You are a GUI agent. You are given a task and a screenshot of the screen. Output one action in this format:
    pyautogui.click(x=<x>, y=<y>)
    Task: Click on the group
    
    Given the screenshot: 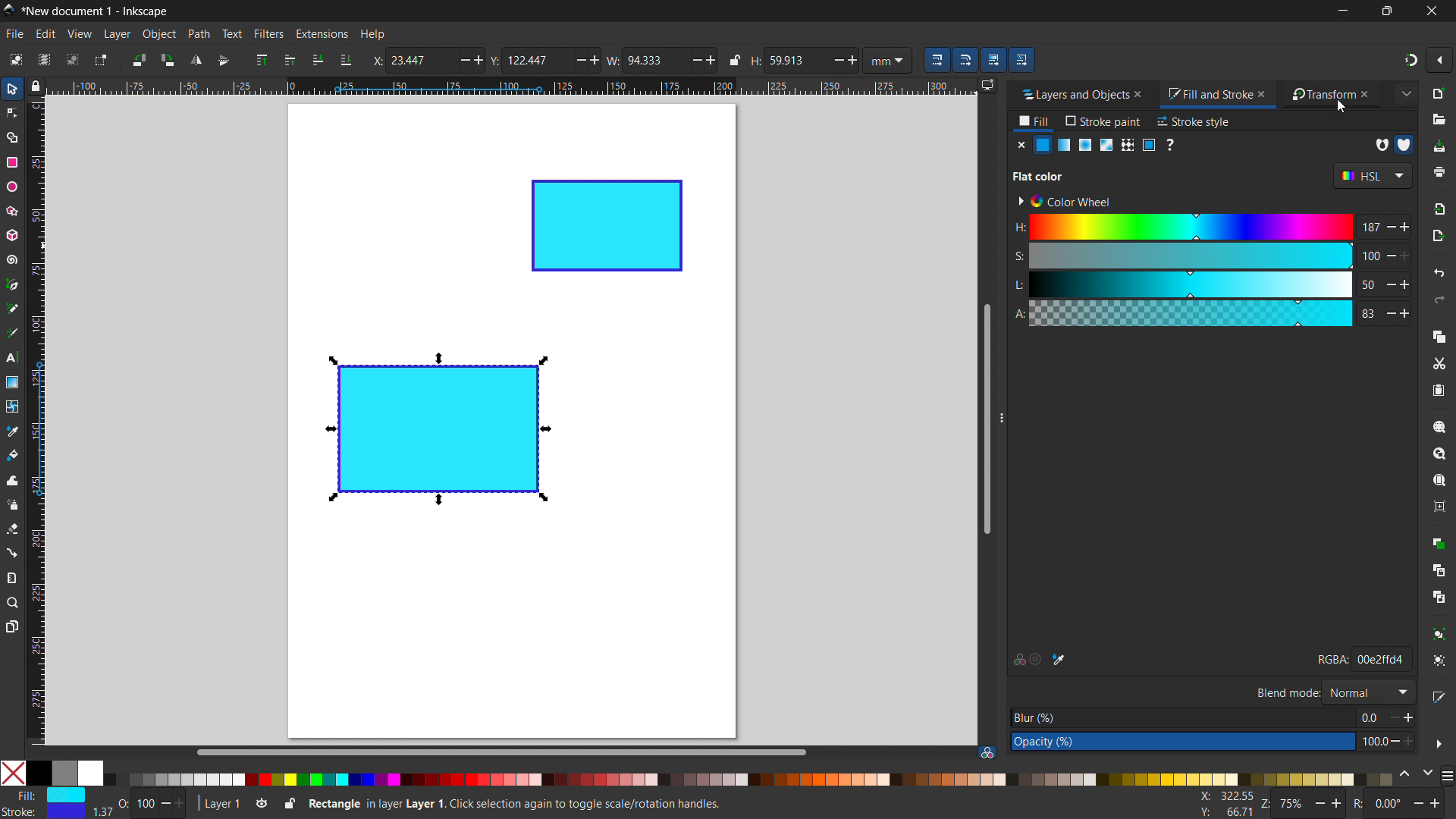 What is the action you would take?
    pyautogui.click(x=1440, y=633)
    